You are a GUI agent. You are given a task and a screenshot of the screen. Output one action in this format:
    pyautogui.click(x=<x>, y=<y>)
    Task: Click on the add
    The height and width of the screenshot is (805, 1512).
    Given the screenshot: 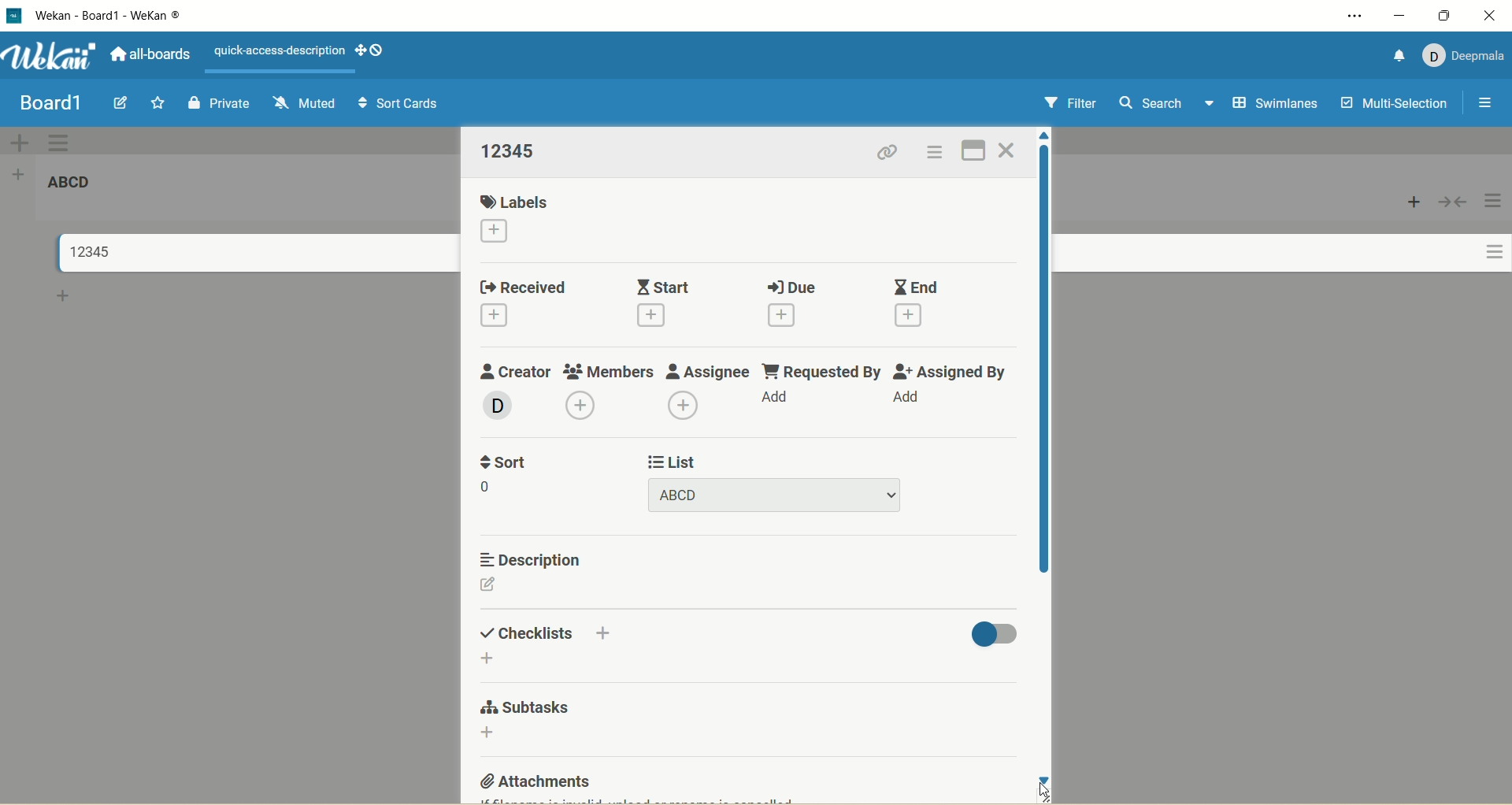 What is the action you would take?
    pyautogui.click(x=686, y=406)
    